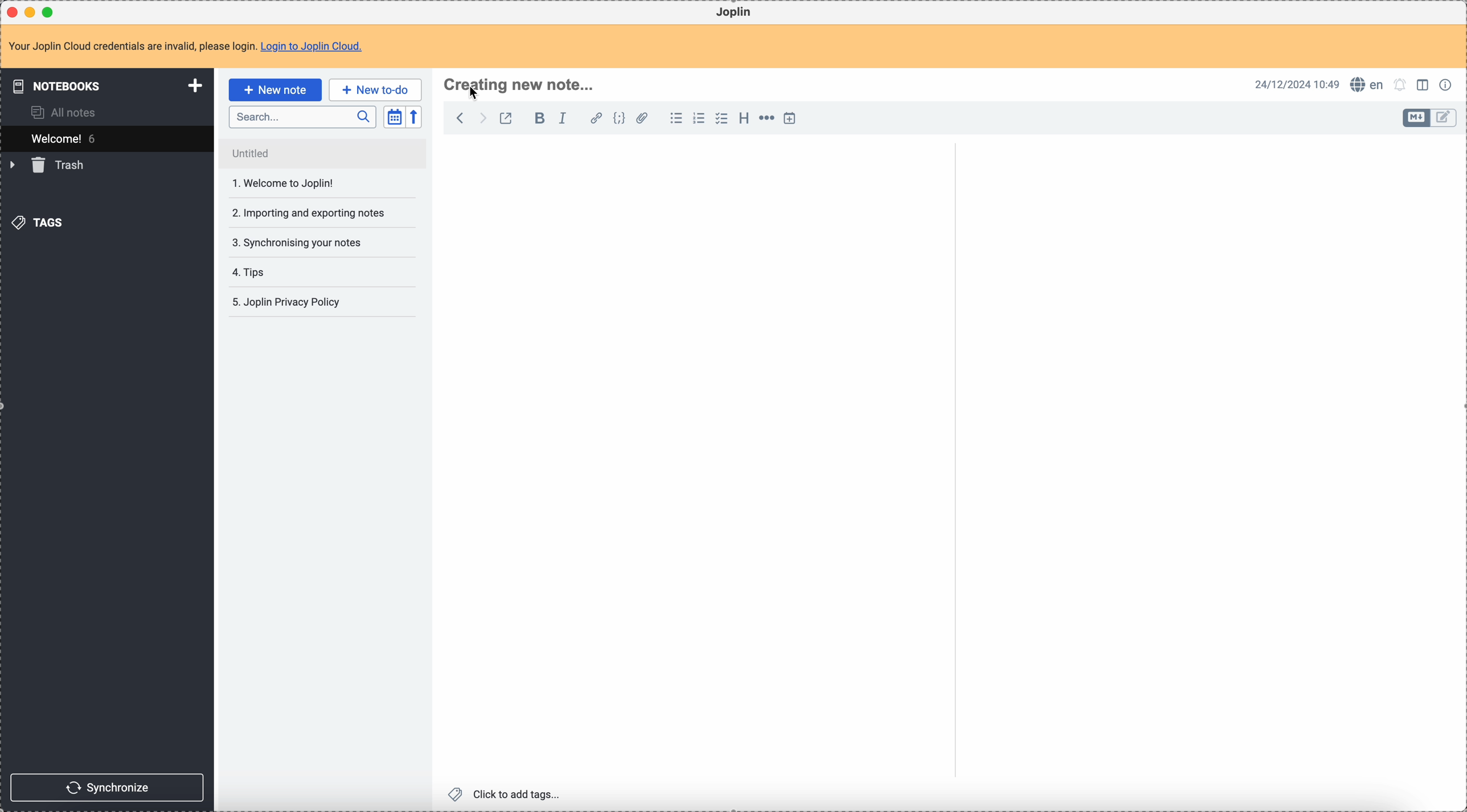  What do you see at coordinates (1448, 84) in the screenshot?
I see `note properties` at bounding box center [1448, 84].